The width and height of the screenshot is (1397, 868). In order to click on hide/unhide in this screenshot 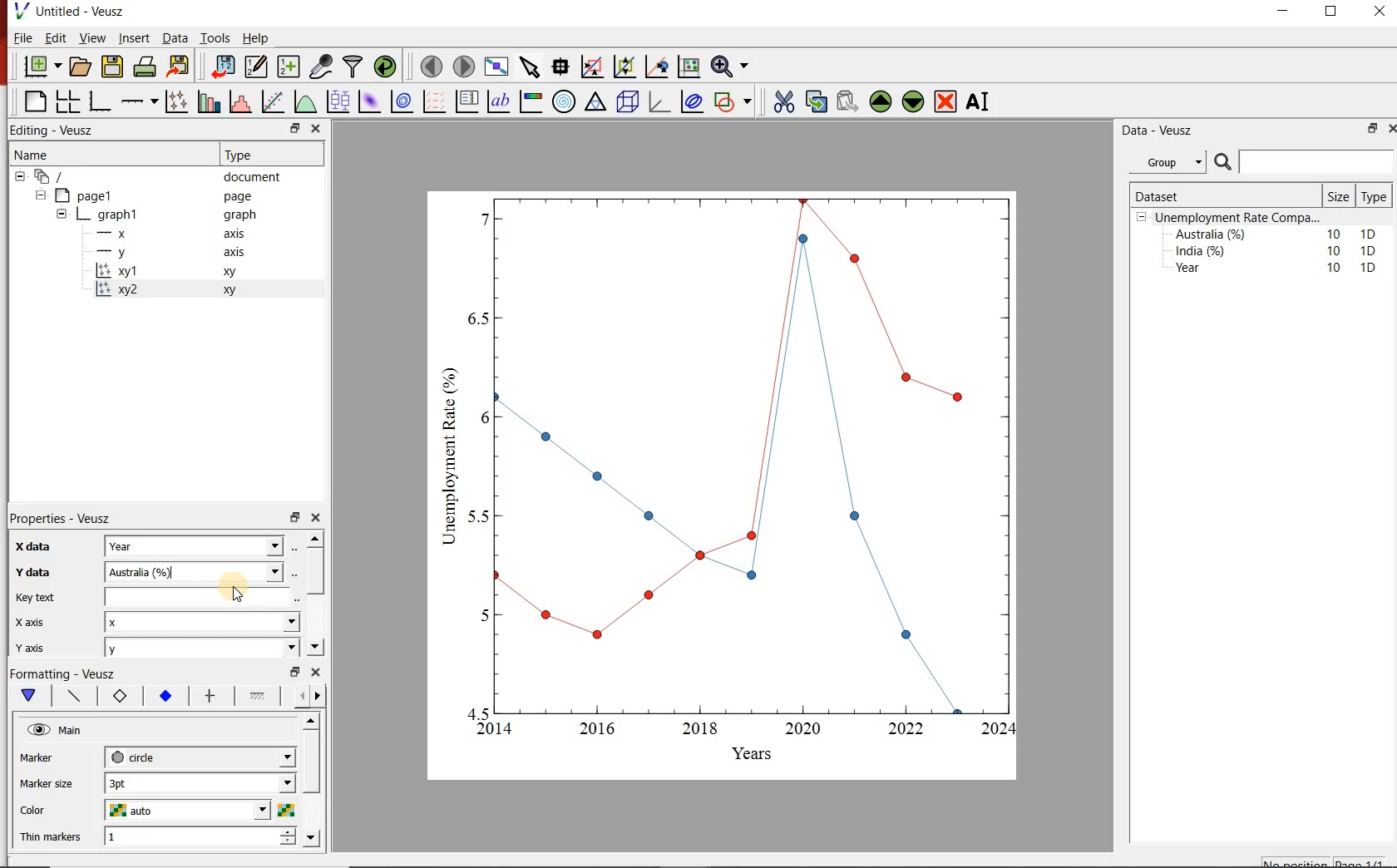, I will do `click(38, 729)`.